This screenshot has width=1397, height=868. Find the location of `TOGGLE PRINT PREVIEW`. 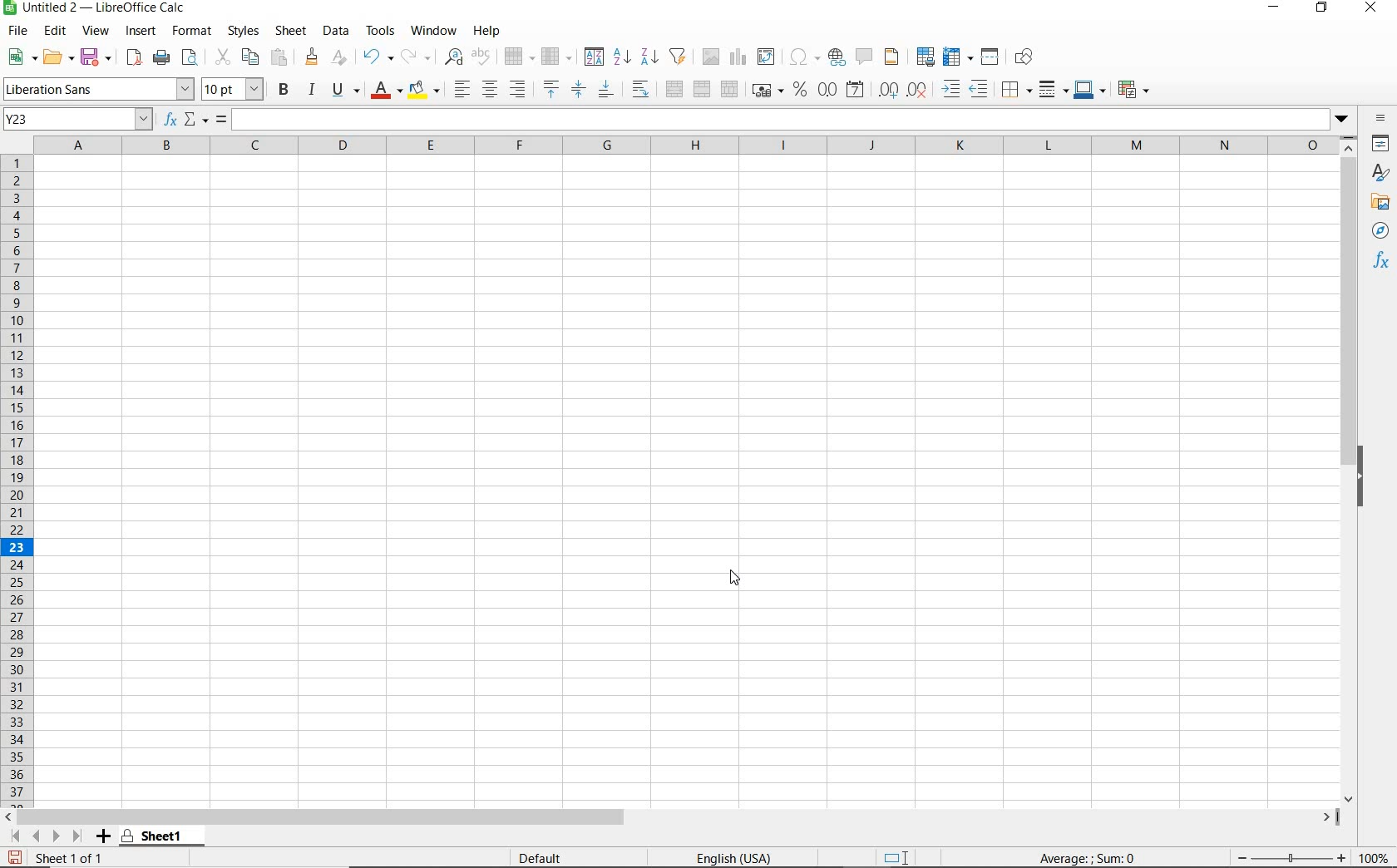

TOGGLE PRINT PREVIEW is located at coordinates (192, 57).